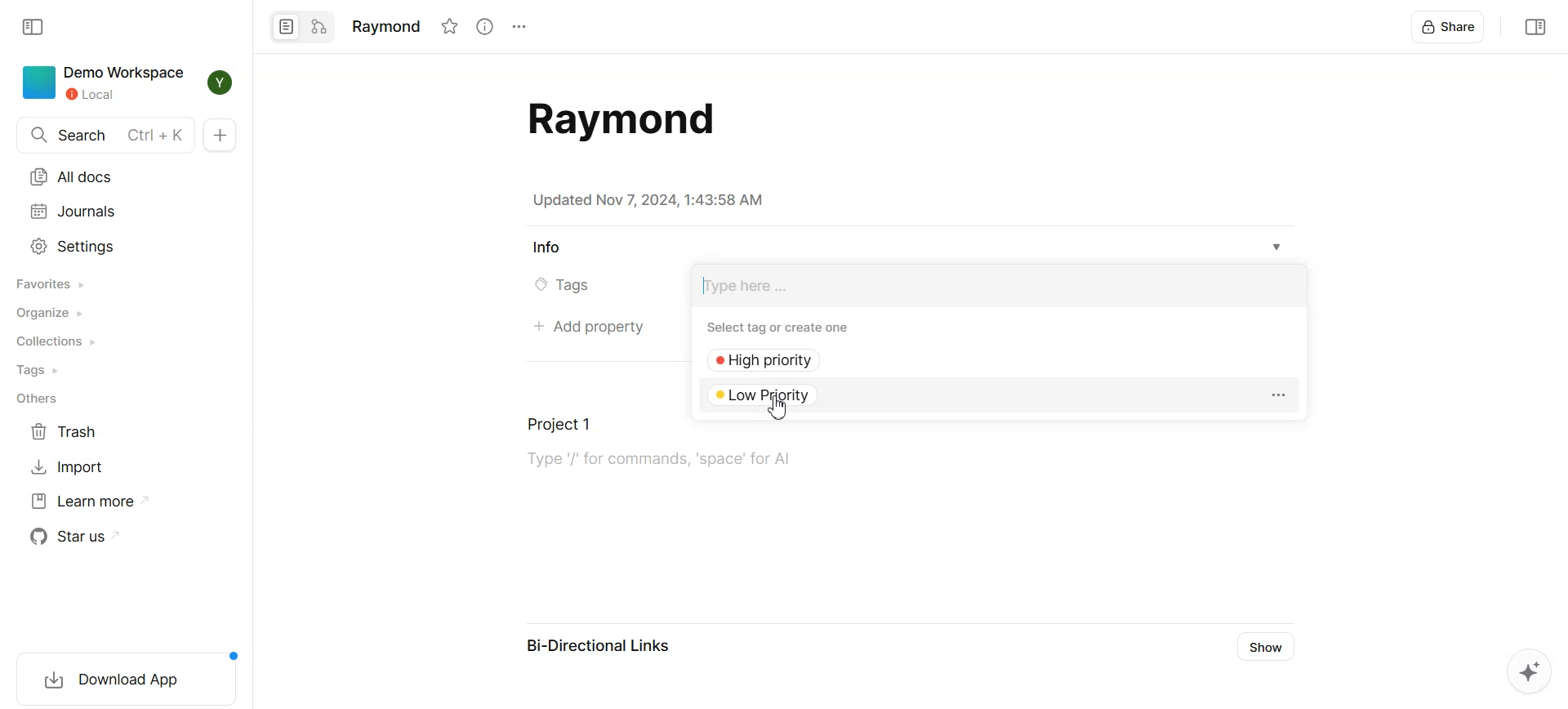  I want to click on Document task, so click(813, 449).